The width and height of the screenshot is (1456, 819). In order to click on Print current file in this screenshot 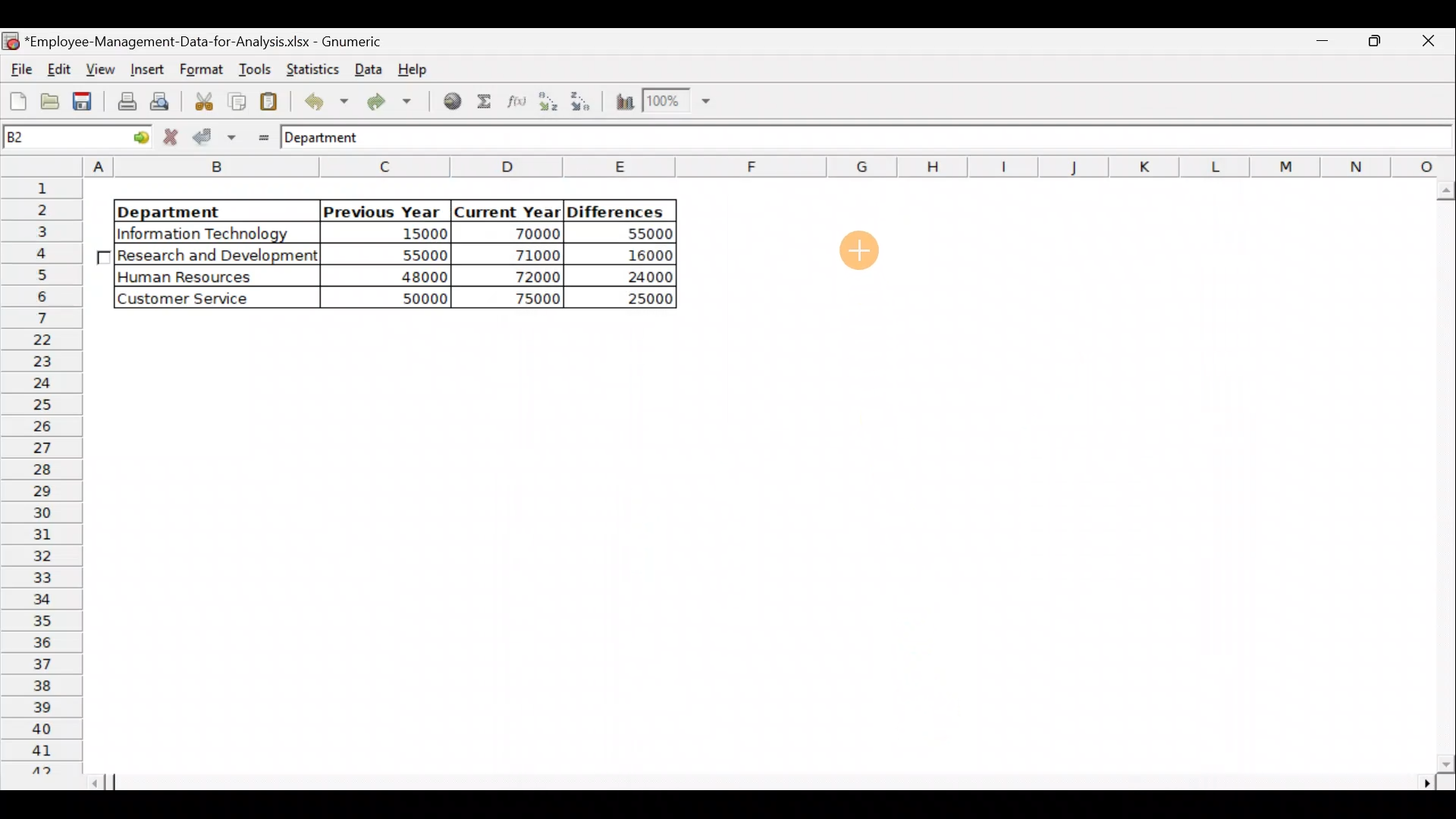, I will do `click(124, 103)`.